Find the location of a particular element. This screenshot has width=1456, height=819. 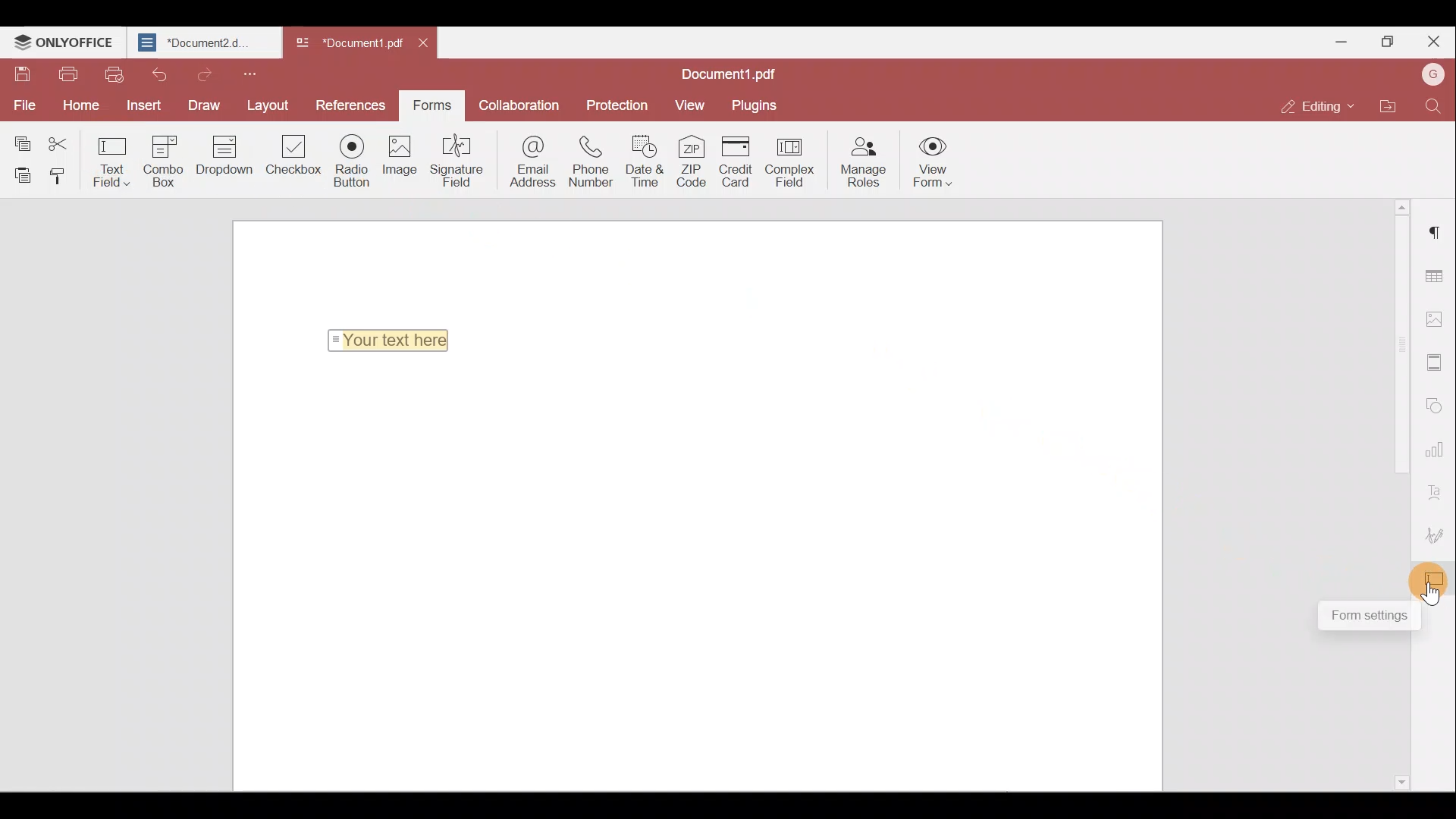

Undo is located at coordinates (158, 74).